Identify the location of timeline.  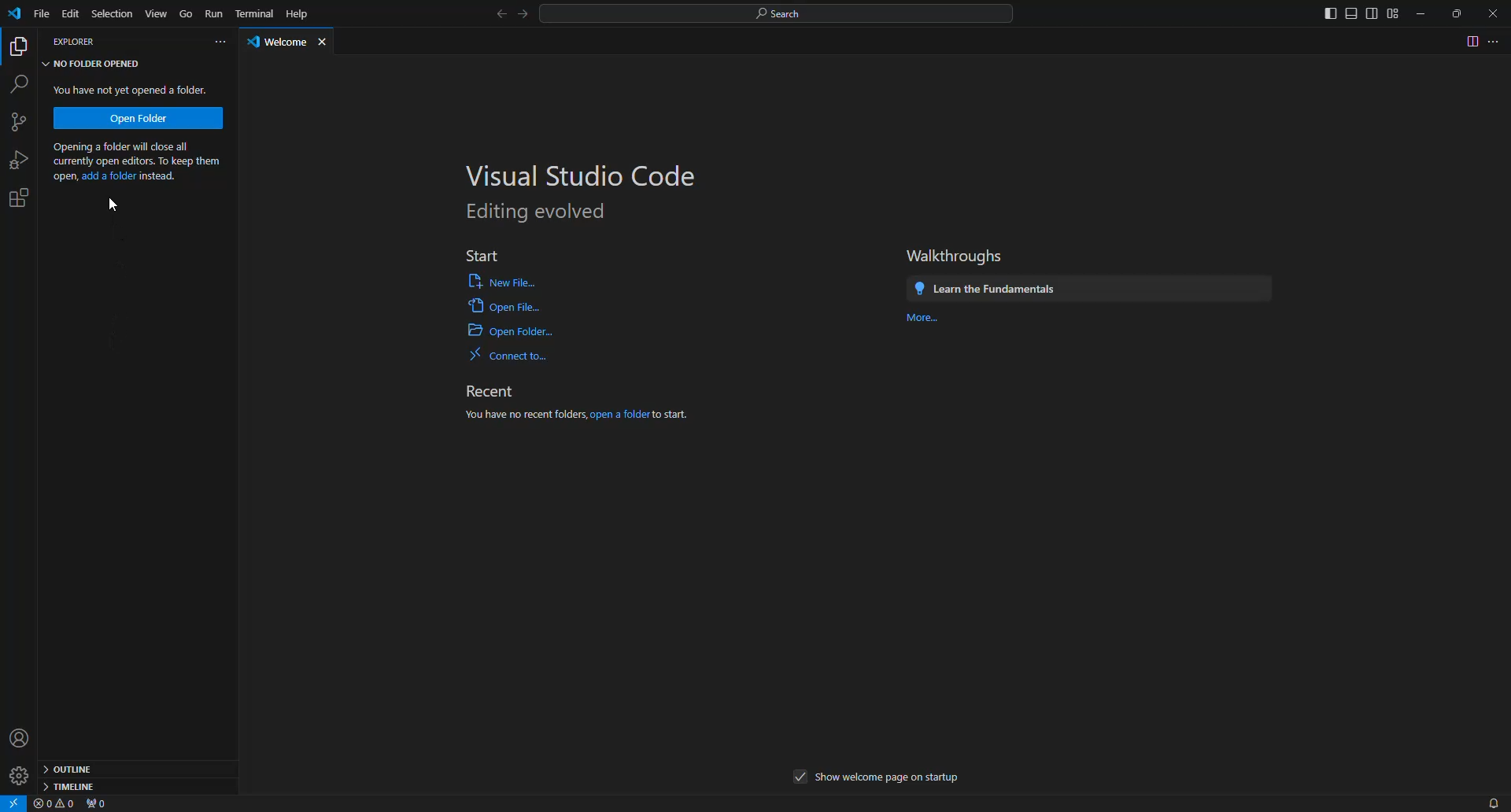
(71, 786).